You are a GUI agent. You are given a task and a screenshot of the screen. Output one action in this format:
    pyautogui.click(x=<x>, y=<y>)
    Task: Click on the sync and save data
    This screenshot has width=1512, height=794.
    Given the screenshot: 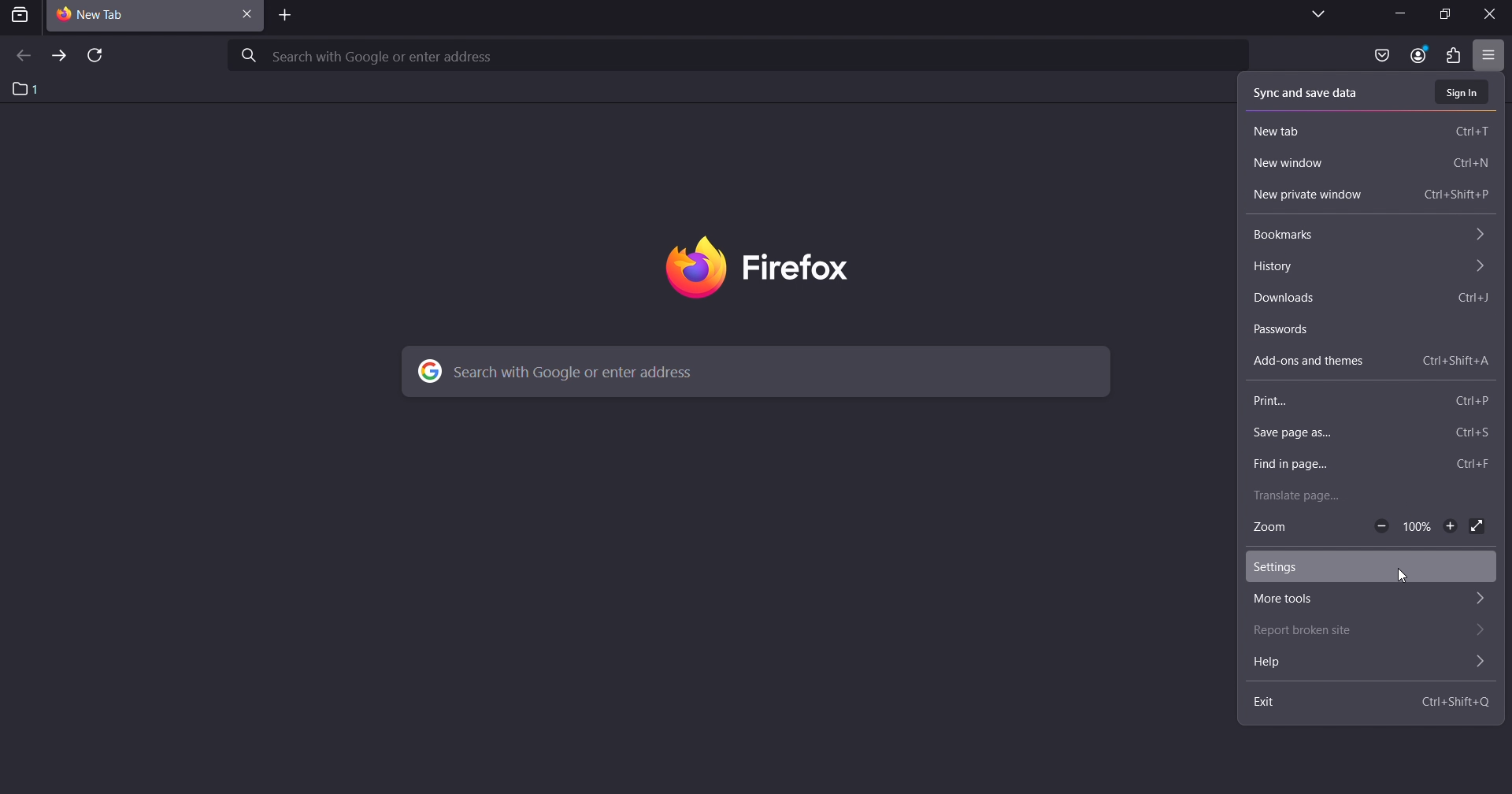 What is the action you would take?
    pyautogui.click(x=1309, y=91)
    